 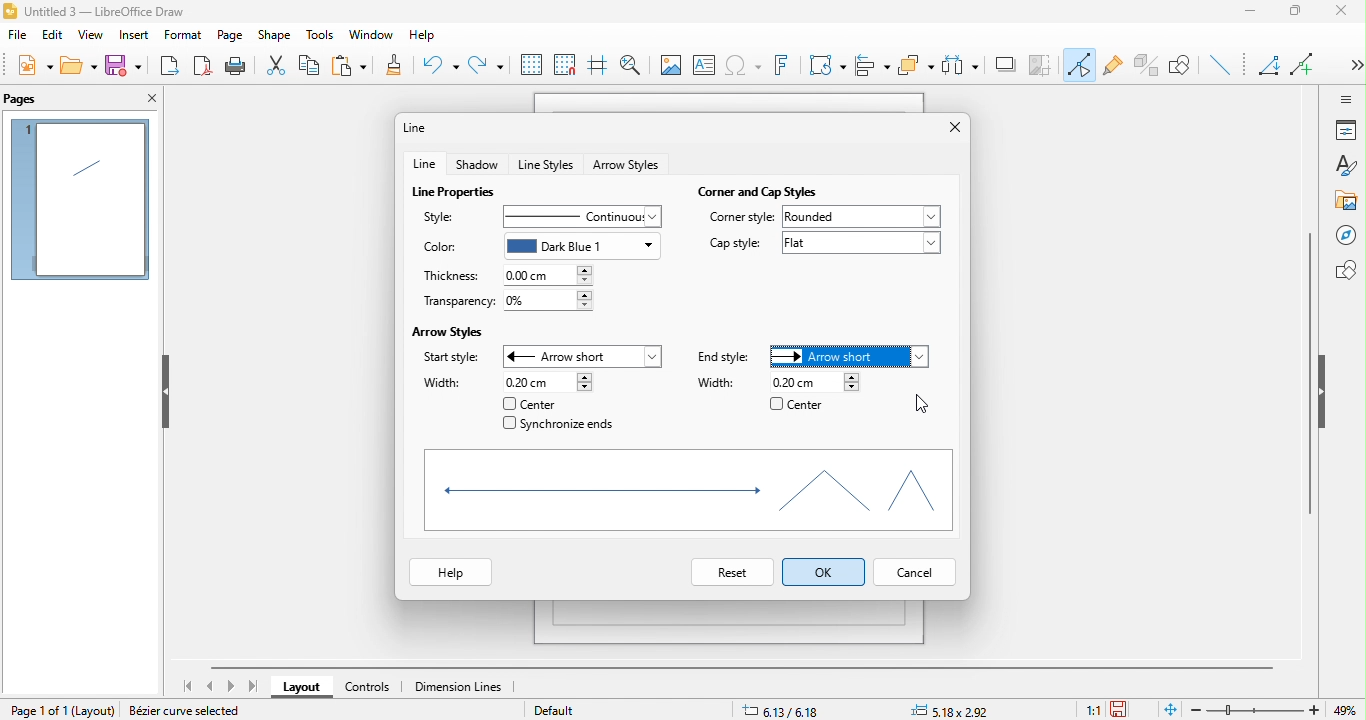 What do you see at coordinates (1302, 14) in the screenshot?
I see `maximize` at bounding box center [1302, 14].